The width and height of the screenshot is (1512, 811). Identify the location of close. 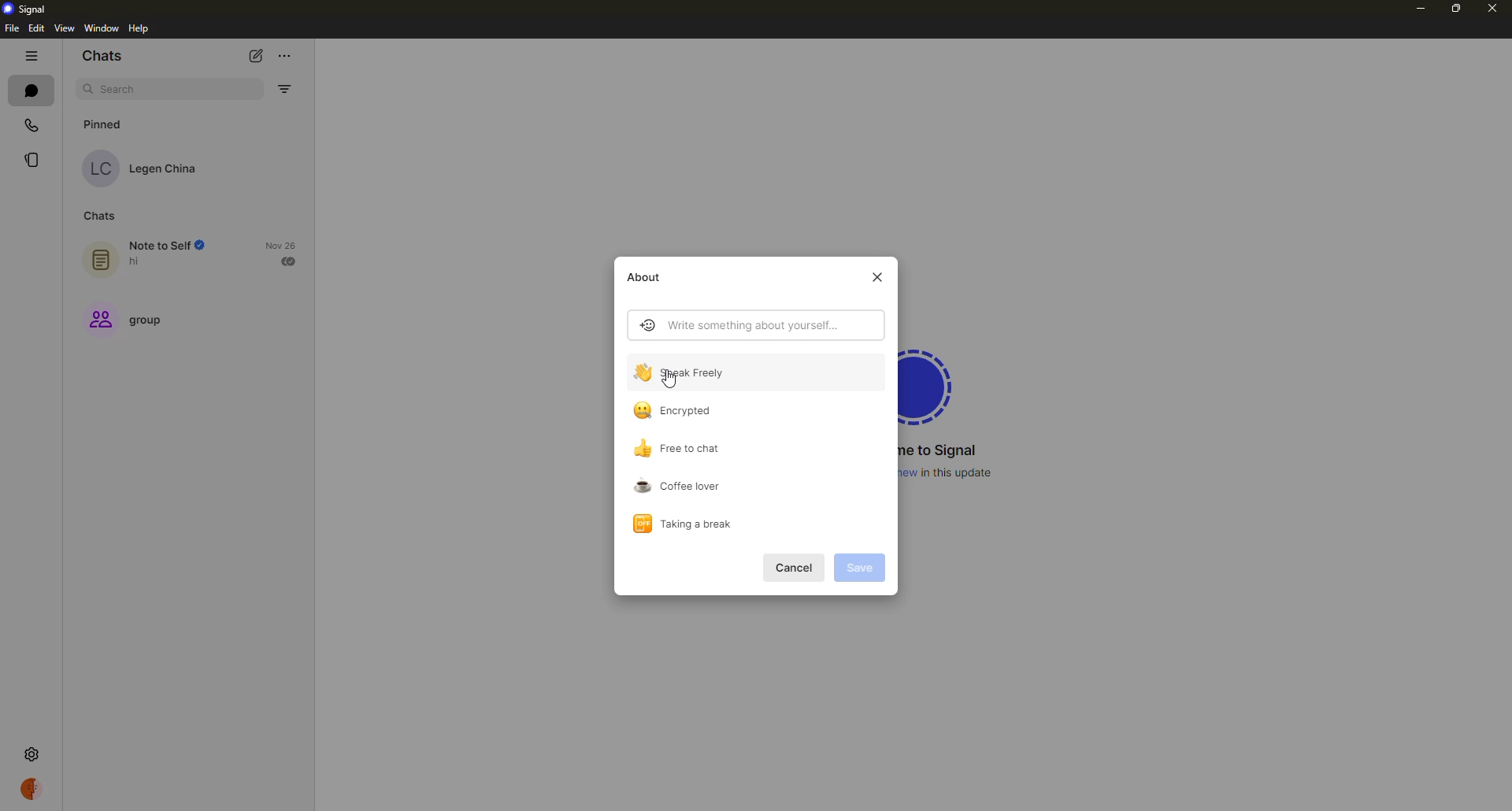
(876, 277).